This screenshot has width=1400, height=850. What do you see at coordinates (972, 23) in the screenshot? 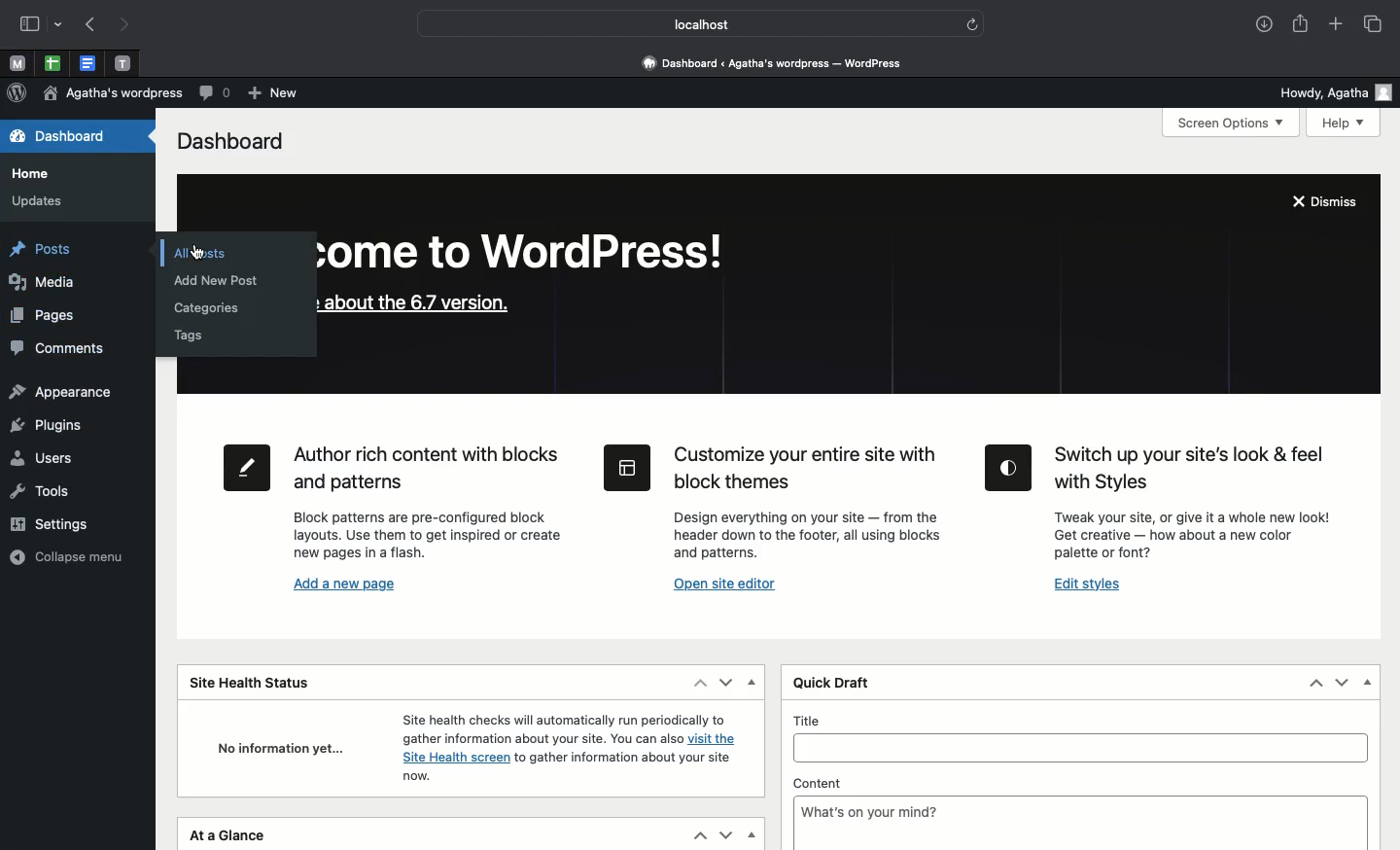
I see `Refresh` at bounding box center [972, 23].